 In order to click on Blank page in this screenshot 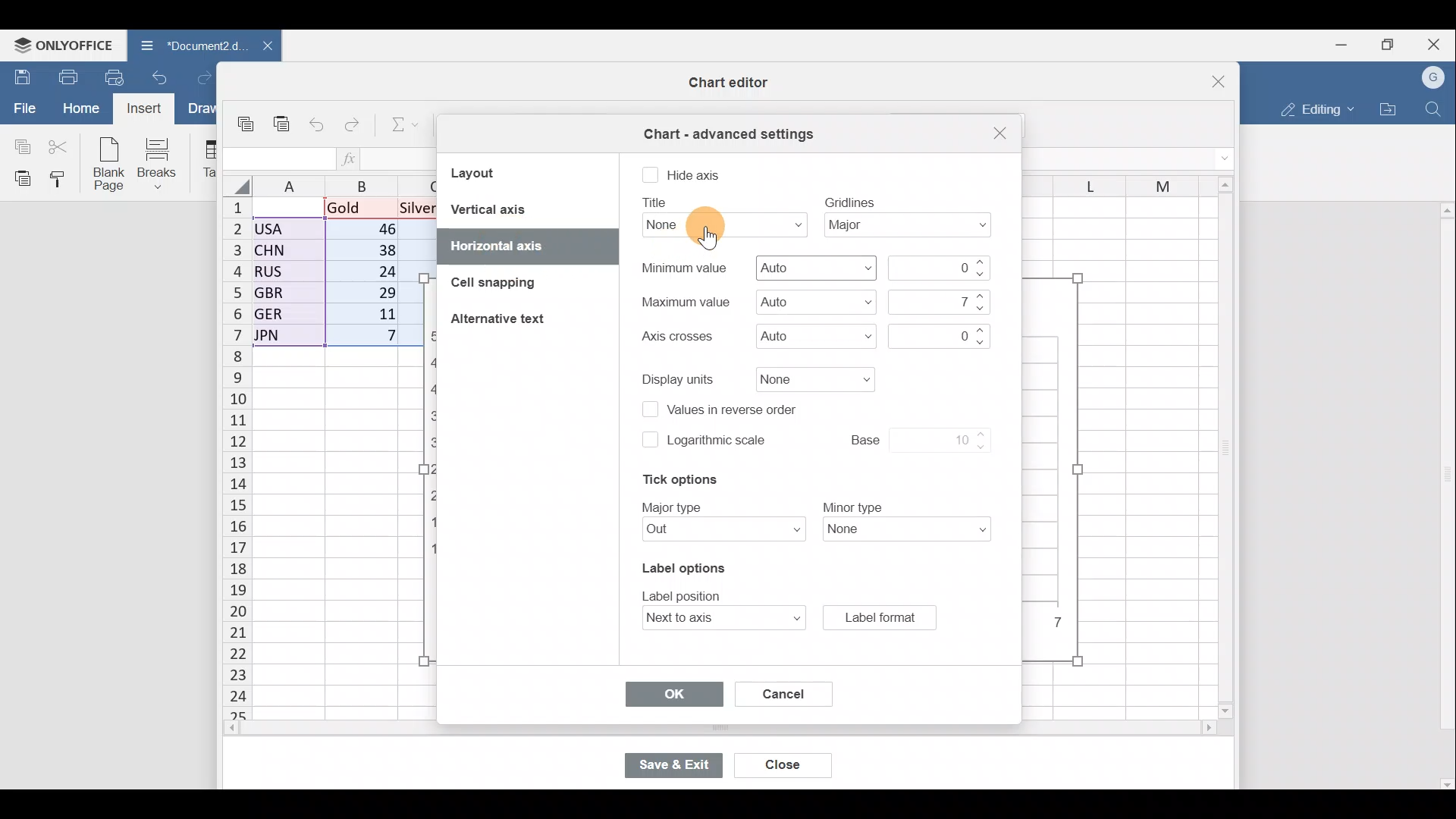, I will do `click(111, 165)`.